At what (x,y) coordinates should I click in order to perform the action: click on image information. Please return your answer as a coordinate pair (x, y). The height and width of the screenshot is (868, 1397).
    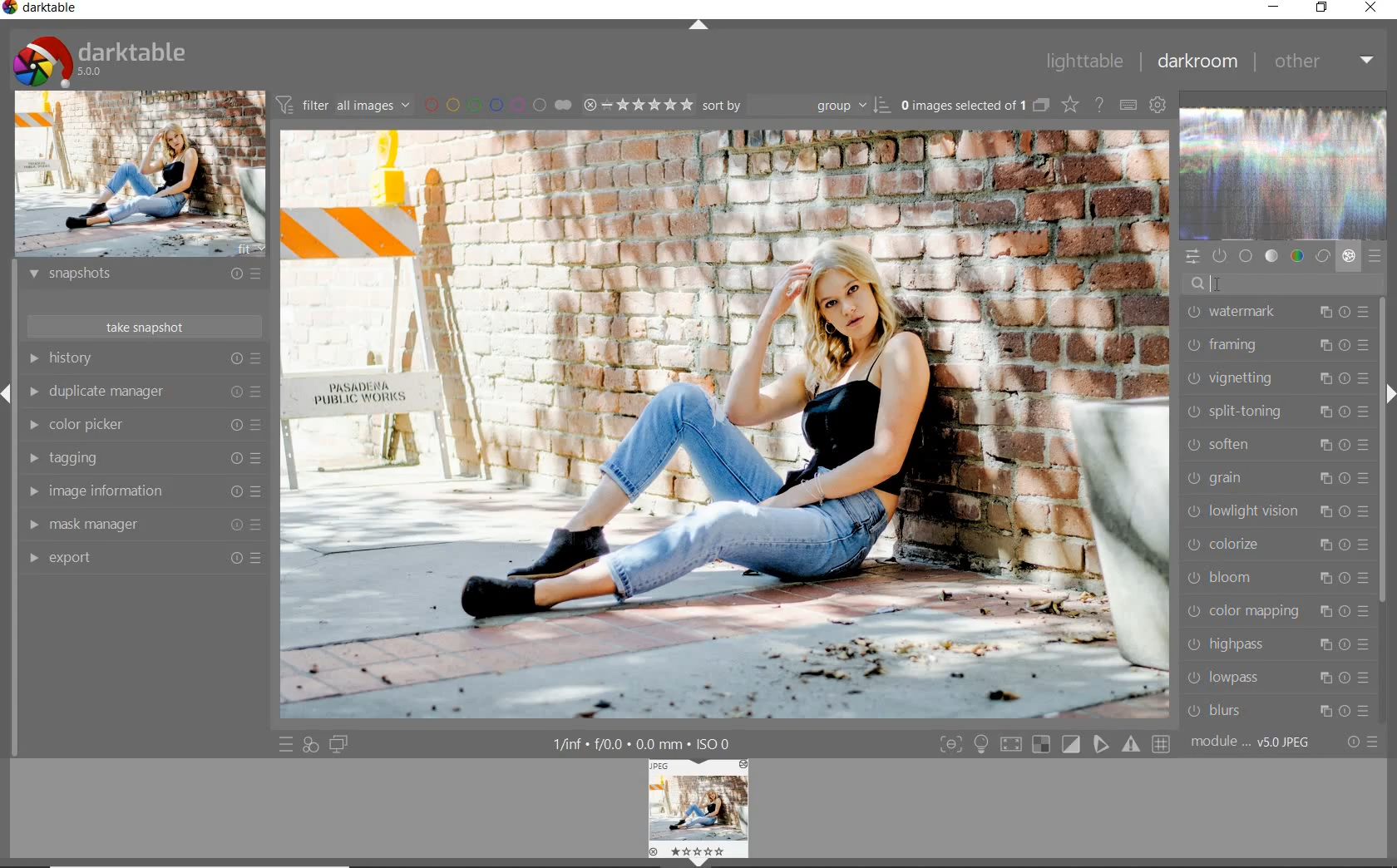
    Looking at the image, I should click on (143, 491).